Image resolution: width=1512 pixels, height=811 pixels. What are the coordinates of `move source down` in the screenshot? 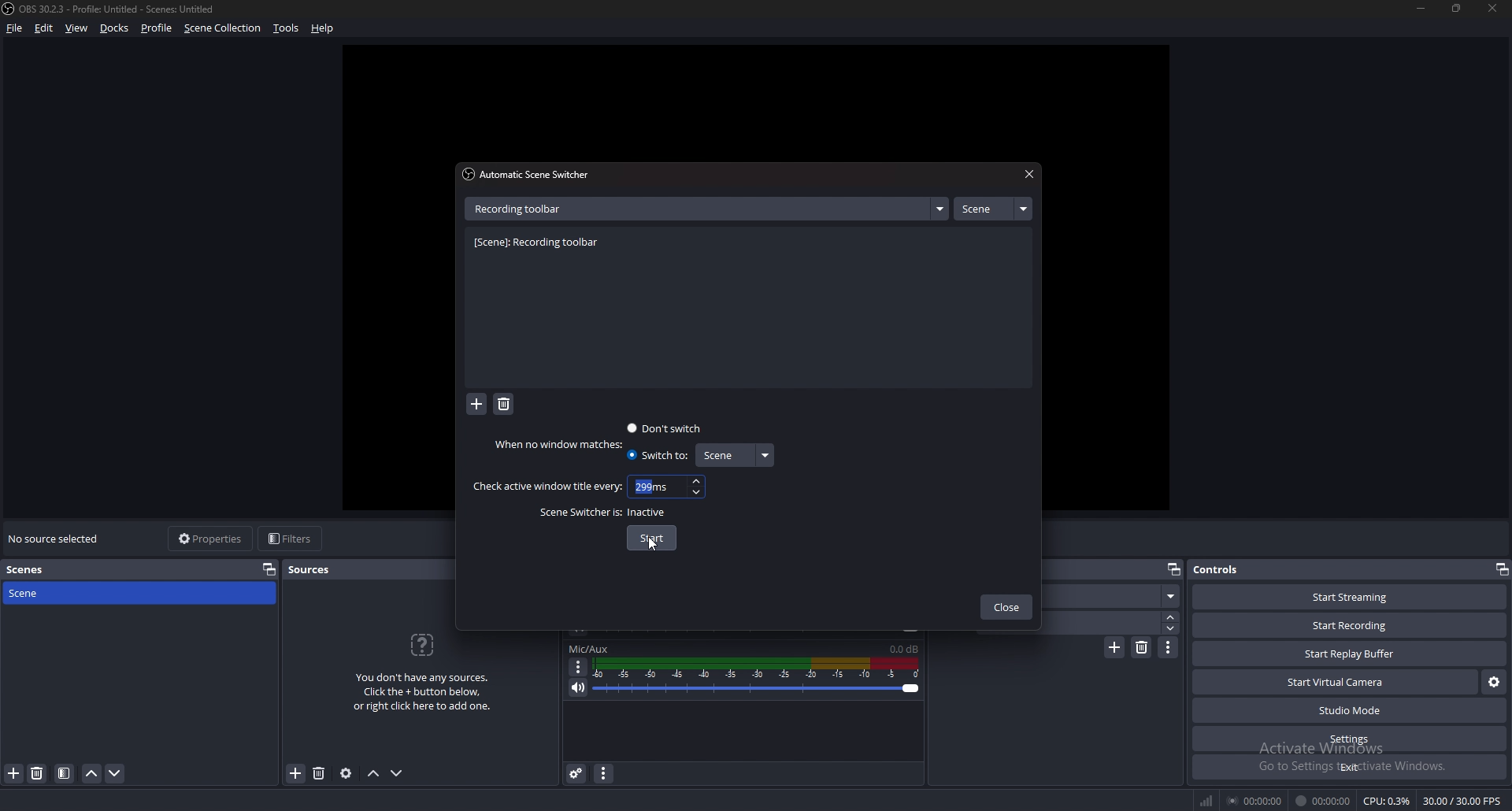 It's located at (397, 774).